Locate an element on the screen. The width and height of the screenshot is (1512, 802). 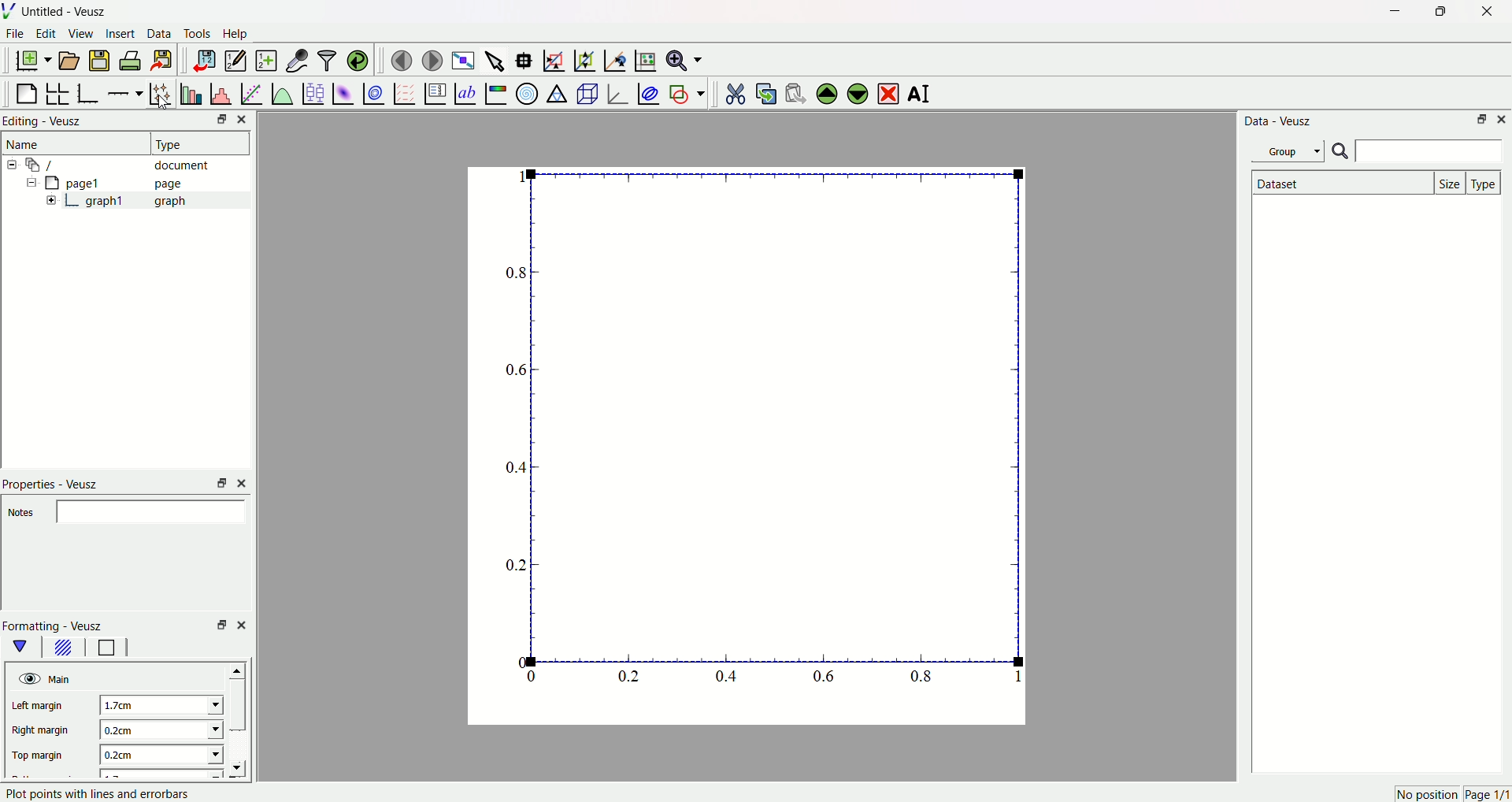
copy the widgets is located at coordinates (765, 91).